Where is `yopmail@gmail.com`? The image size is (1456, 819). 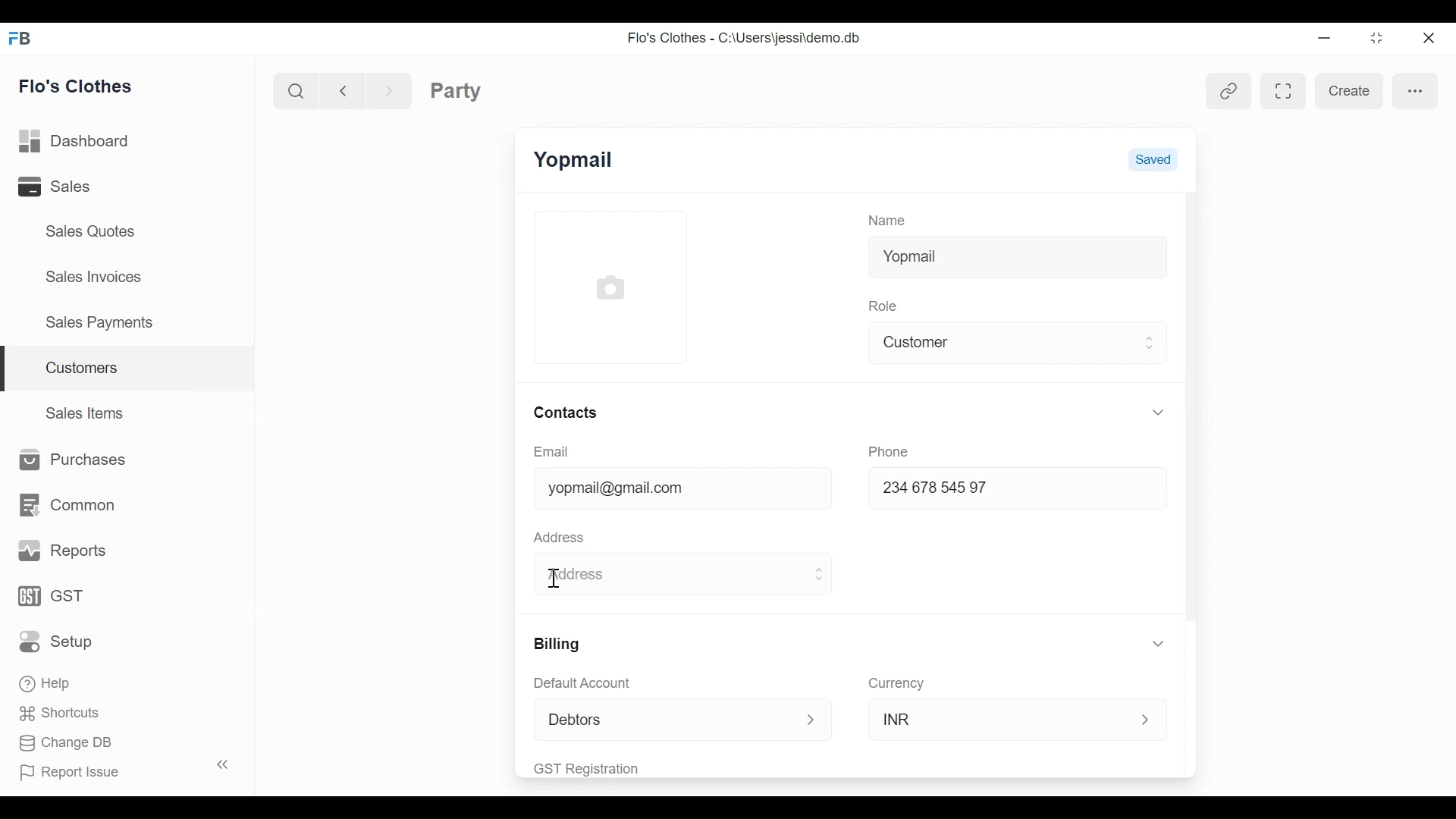
yopmail@gmail.com is located at coordinates (660, 488).